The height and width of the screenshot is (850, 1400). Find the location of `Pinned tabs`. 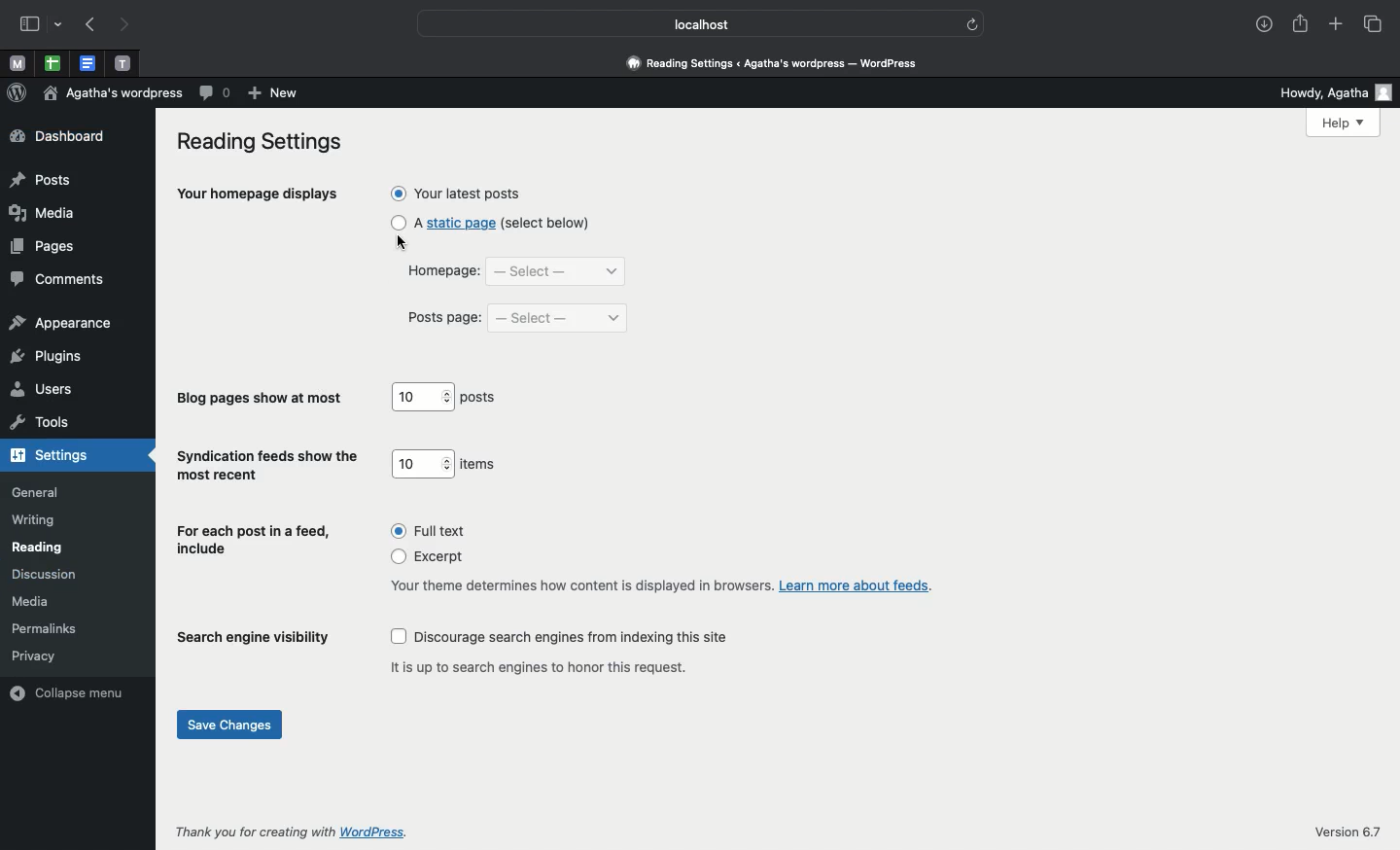

Pinned tabs is located at coordinates (122, 62).